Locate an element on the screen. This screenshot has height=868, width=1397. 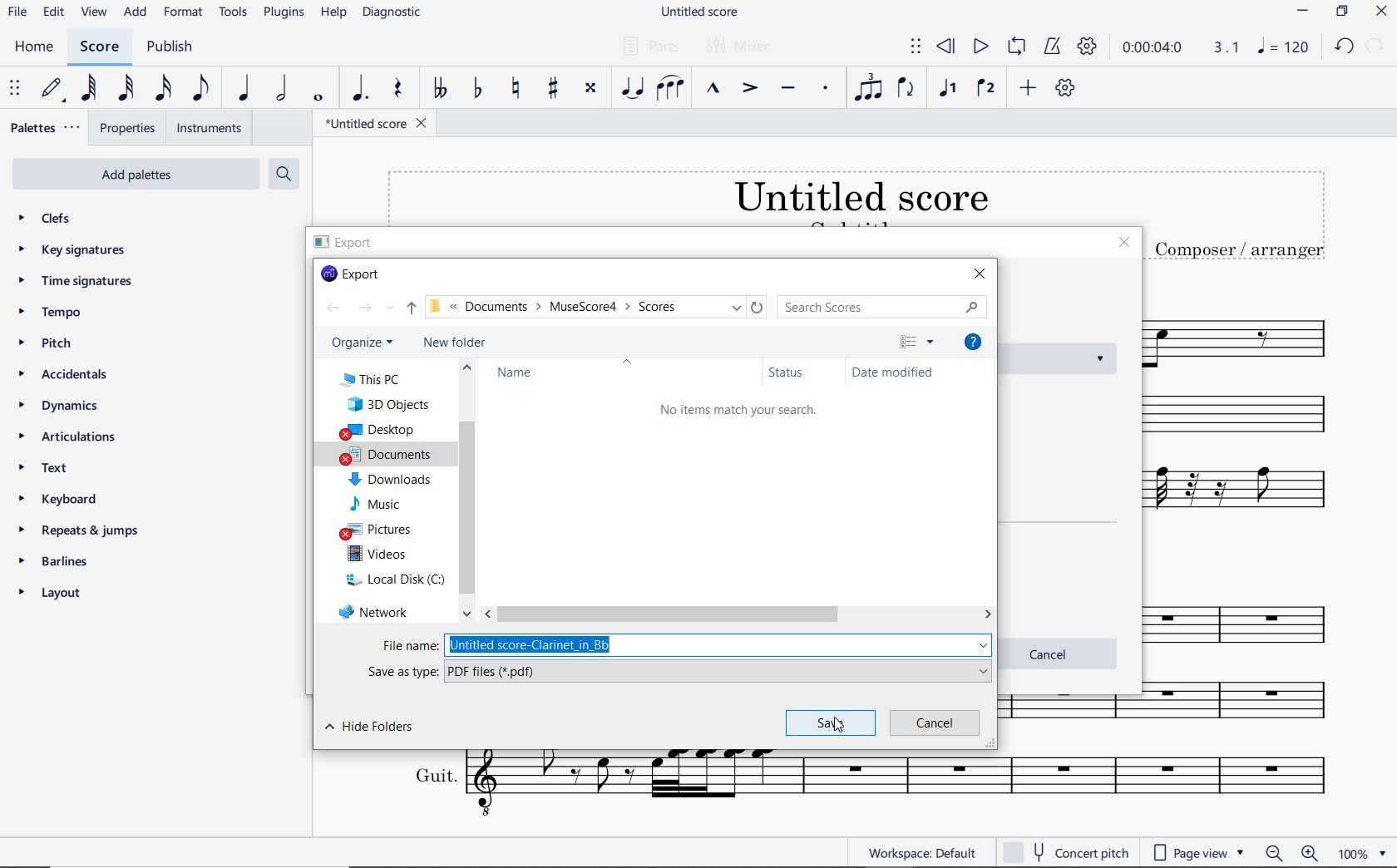
REDO is located at coordinates (1376, 45).